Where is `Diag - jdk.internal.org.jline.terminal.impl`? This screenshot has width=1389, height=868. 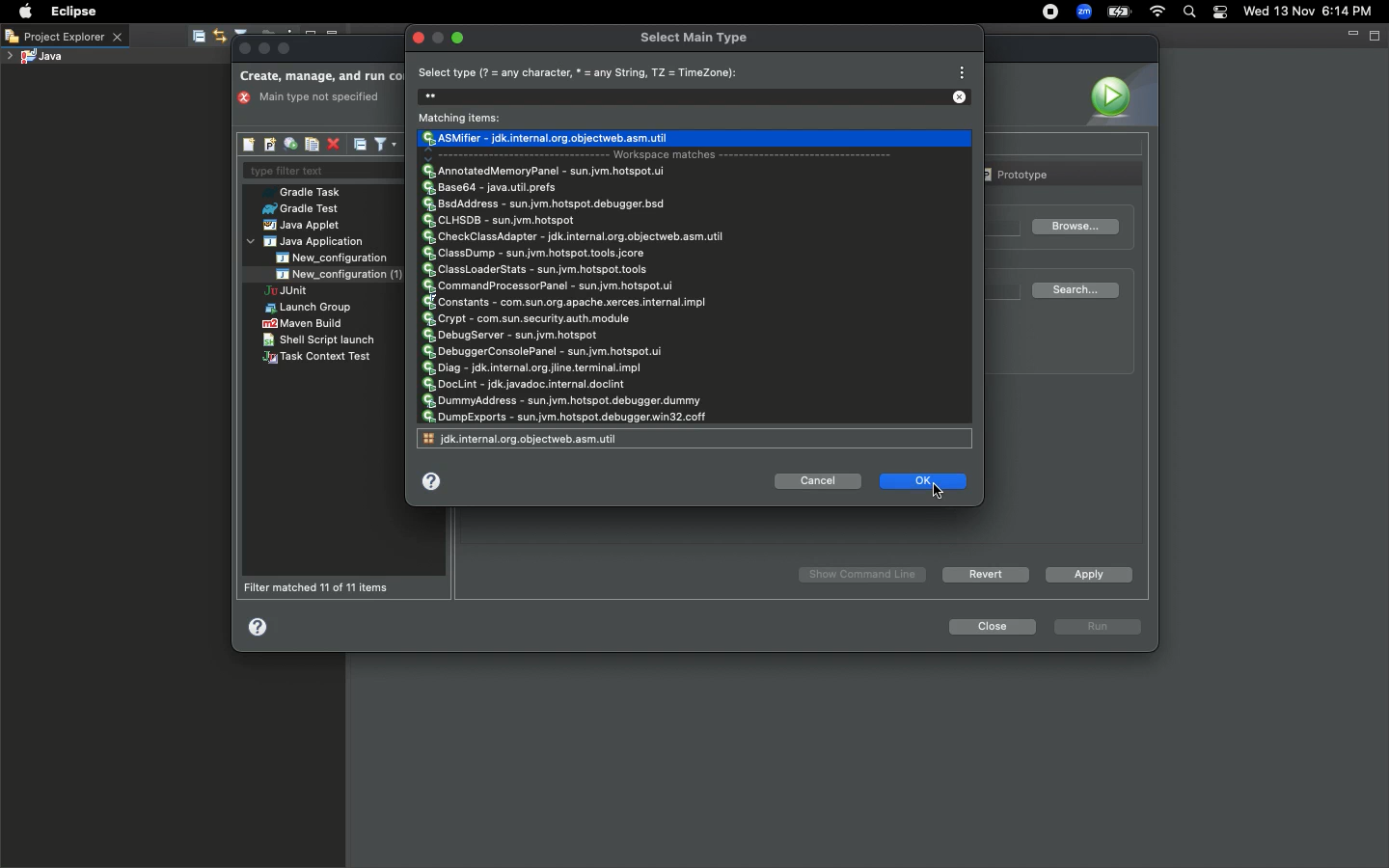 Diag - jdk.internal.org.jline.terminal.impl is located at coordinates (534, 368).